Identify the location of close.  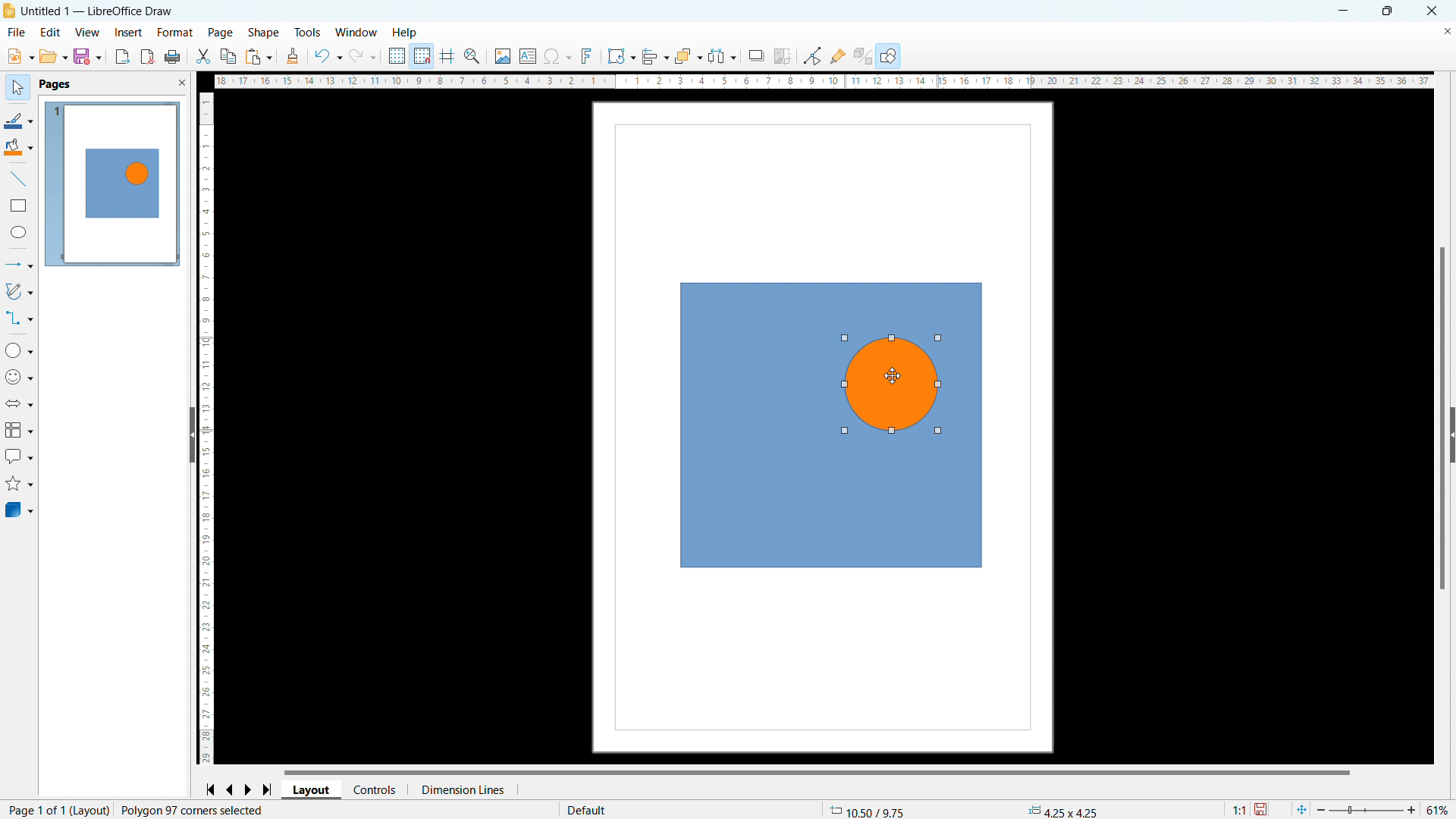
(1432, 11).